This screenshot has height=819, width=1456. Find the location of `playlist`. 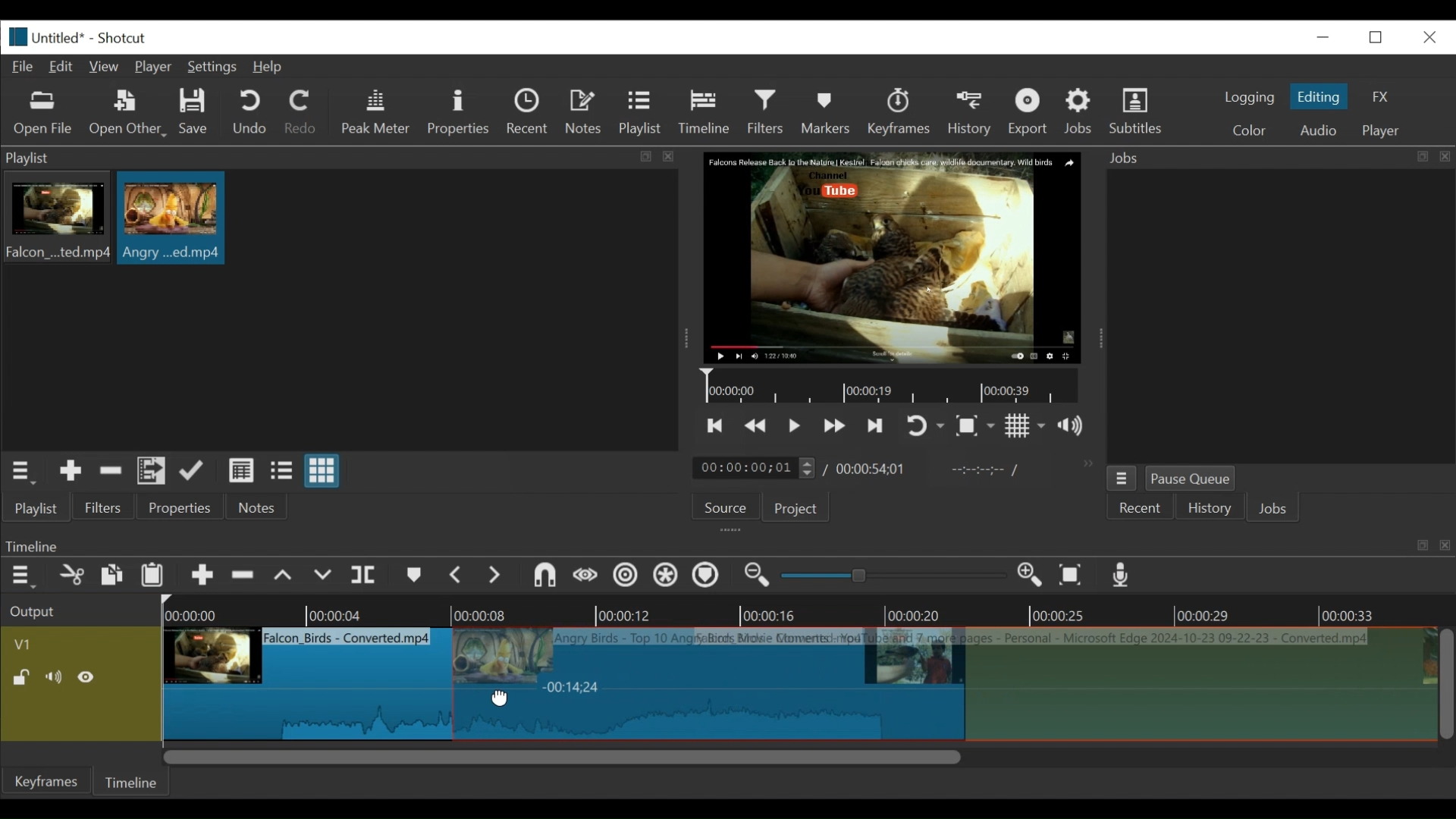

playlist is located at coordinates (35, 508).